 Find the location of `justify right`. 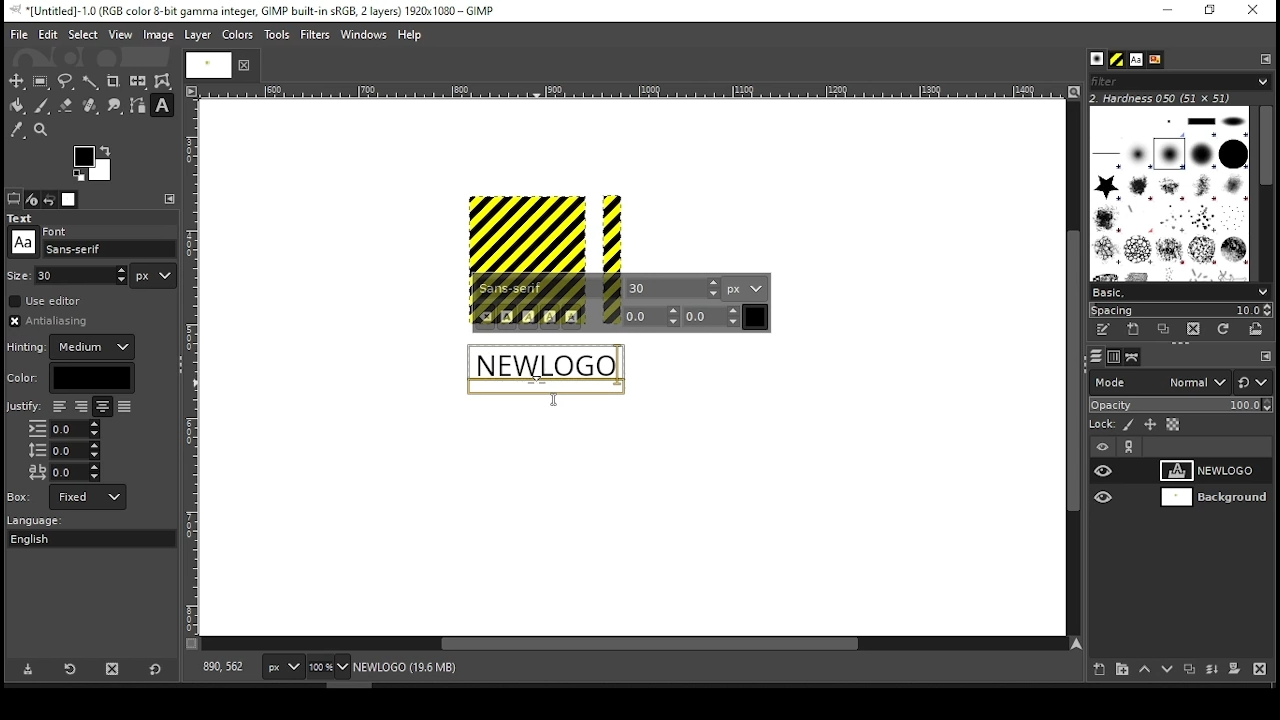

justify right is located at coordinates (80, 408).